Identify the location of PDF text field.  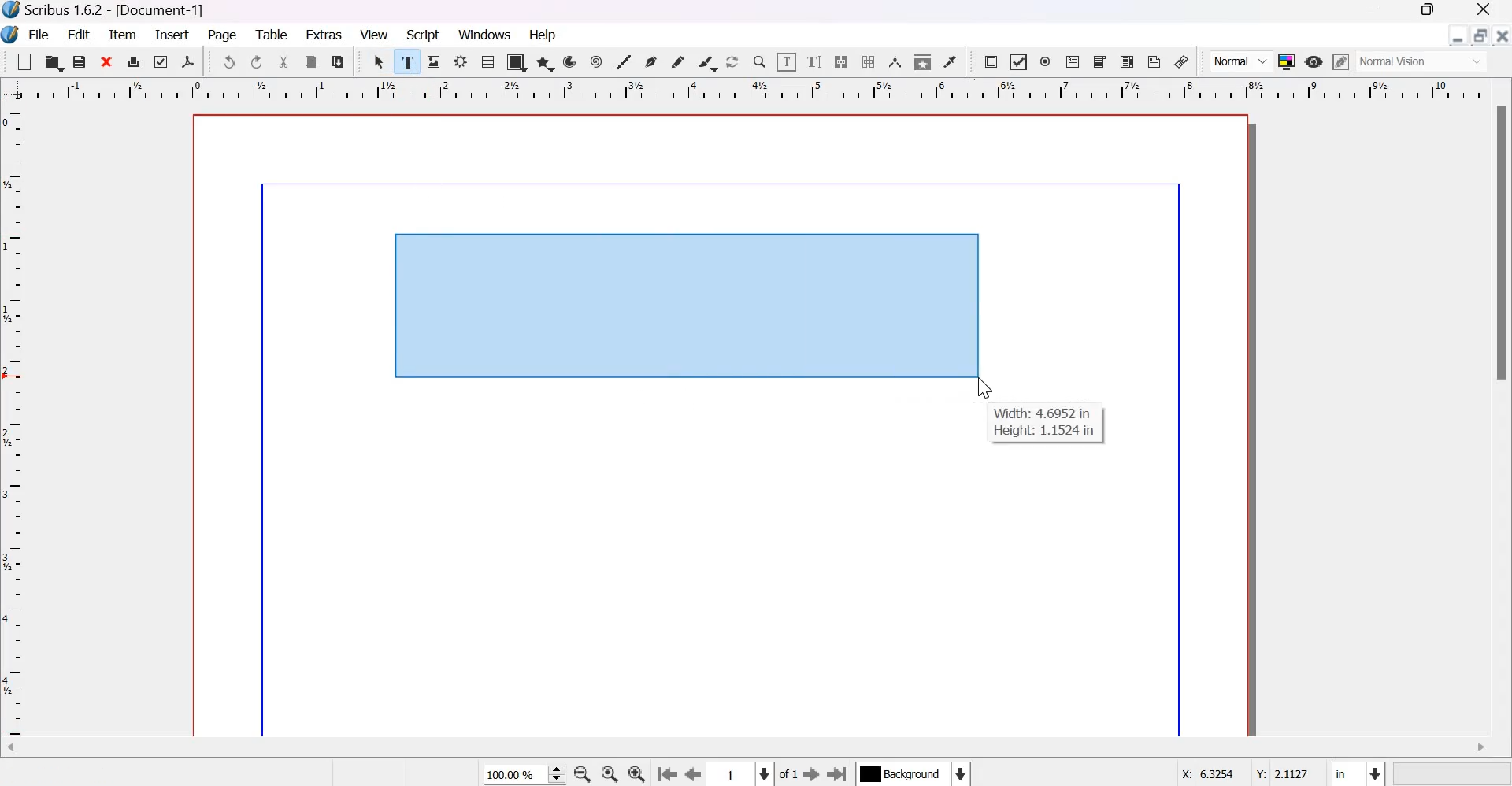
(1073, 63).